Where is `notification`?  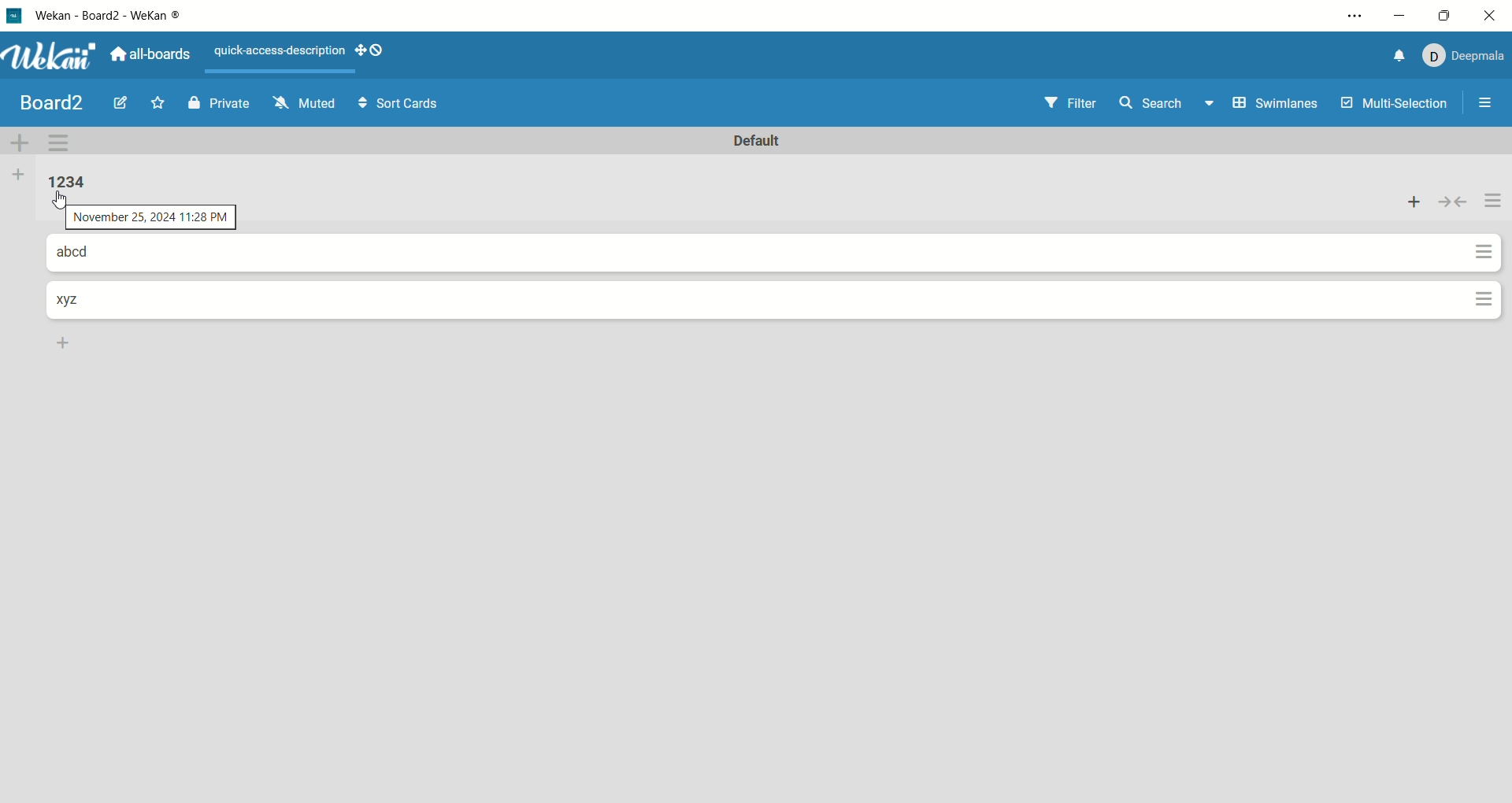
notification is located at coordinates (1392, 56).